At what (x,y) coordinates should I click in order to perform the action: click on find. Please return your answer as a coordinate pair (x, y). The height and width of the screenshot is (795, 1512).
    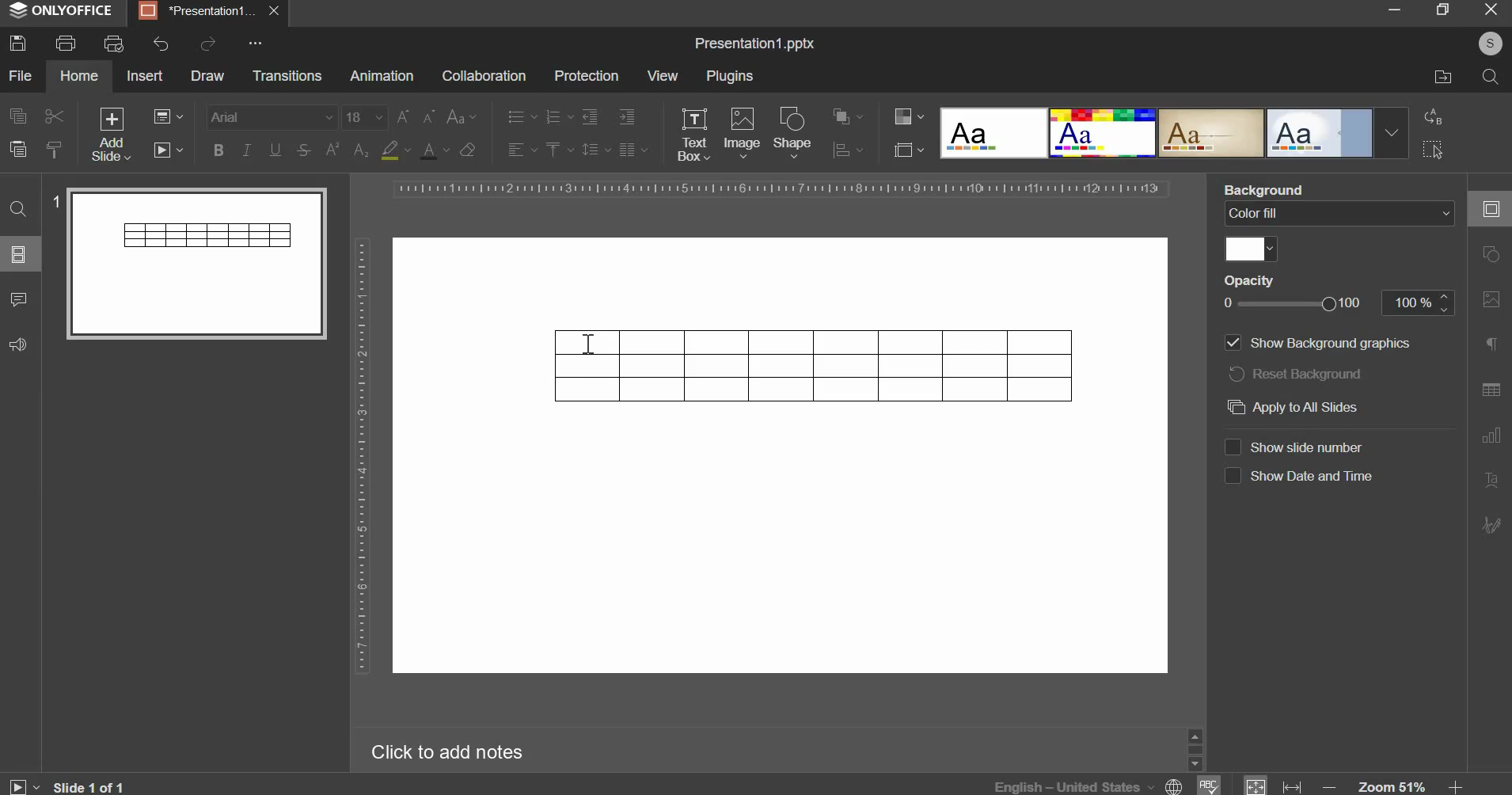
    Looking at the image, I should click on (19, 209).